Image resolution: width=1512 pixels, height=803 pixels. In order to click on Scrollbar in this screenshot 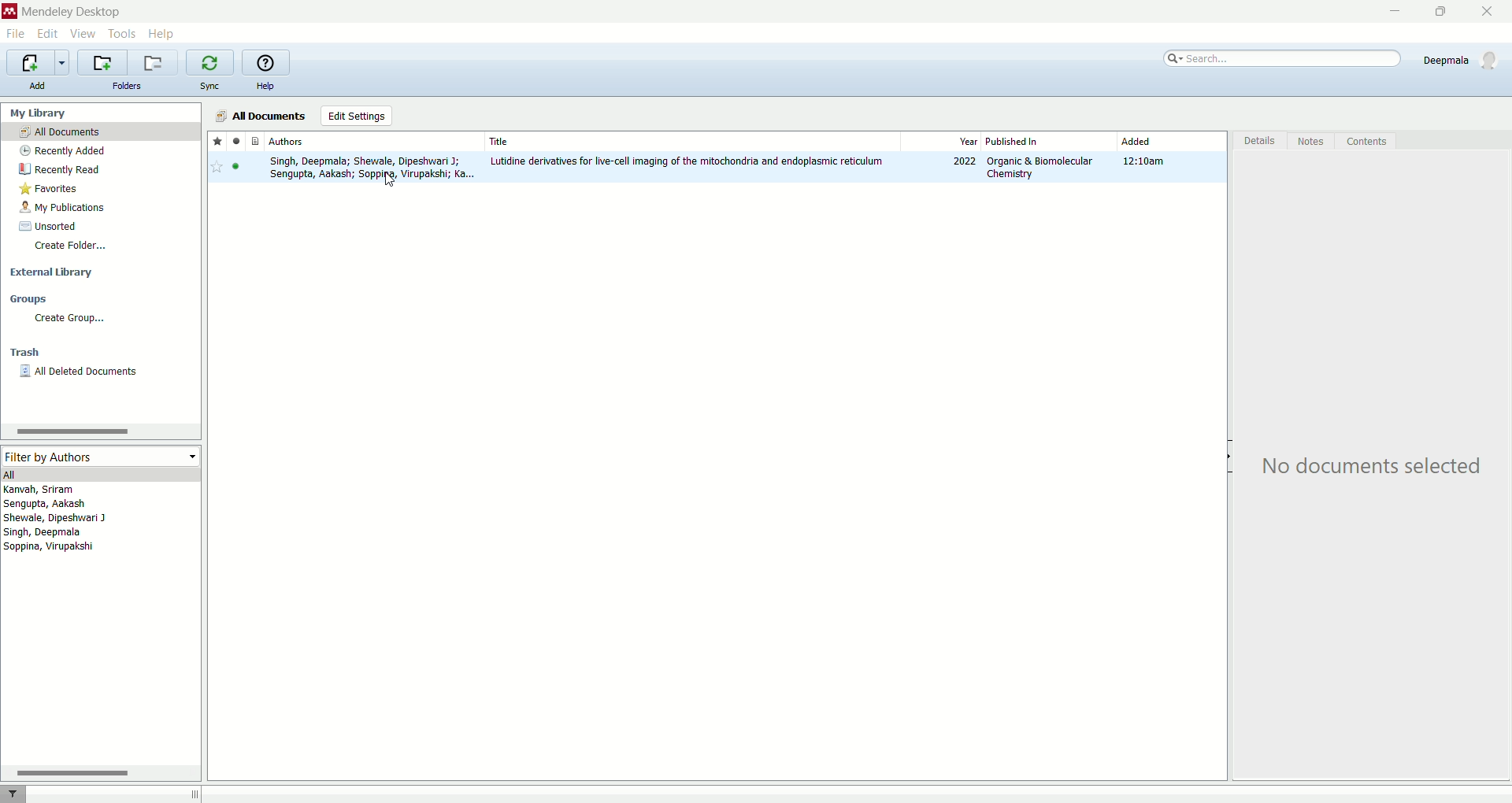, I will do `click(70, 432)`.